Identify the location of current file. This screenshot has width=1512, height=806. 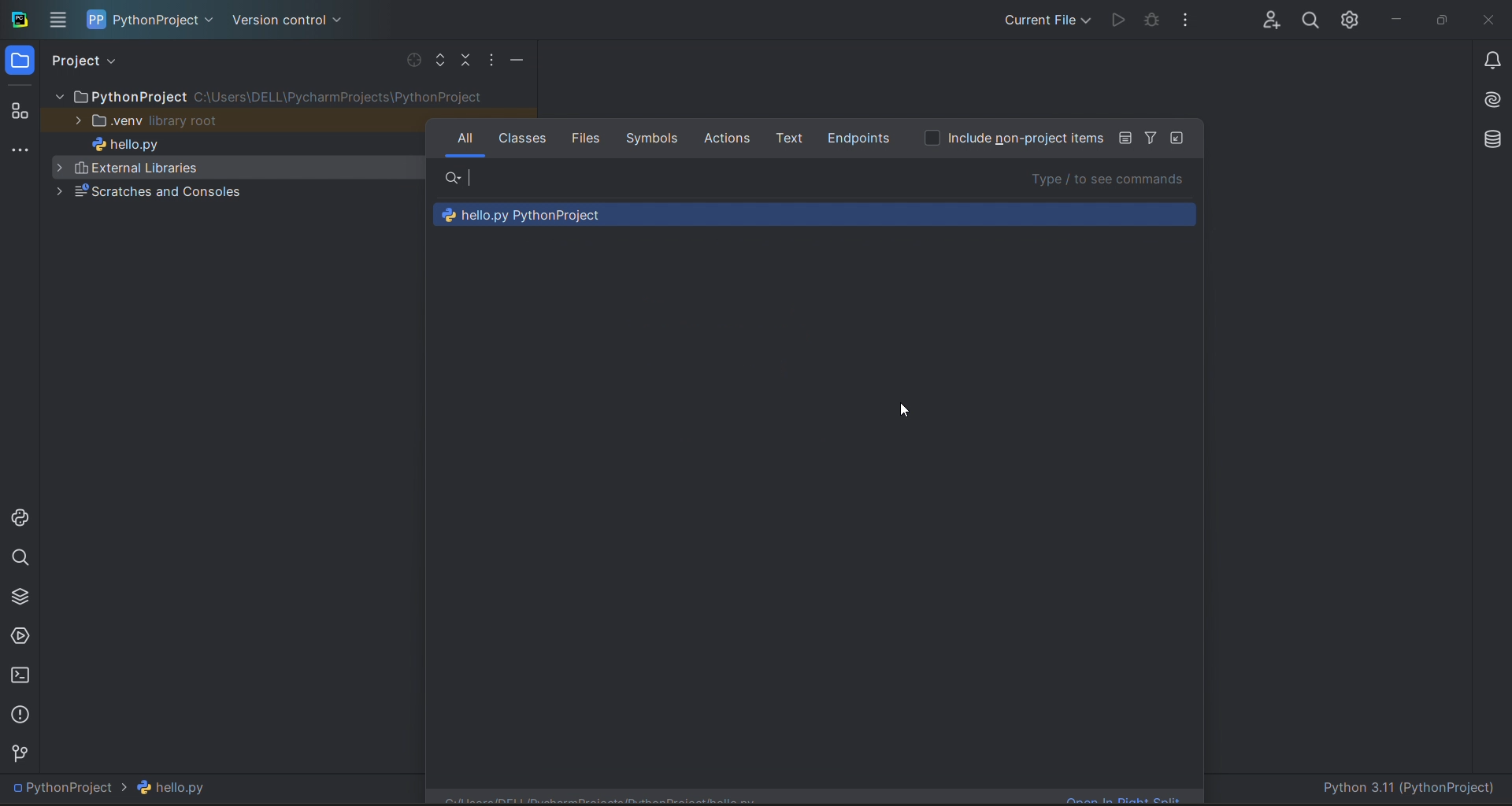
(1044, 20).